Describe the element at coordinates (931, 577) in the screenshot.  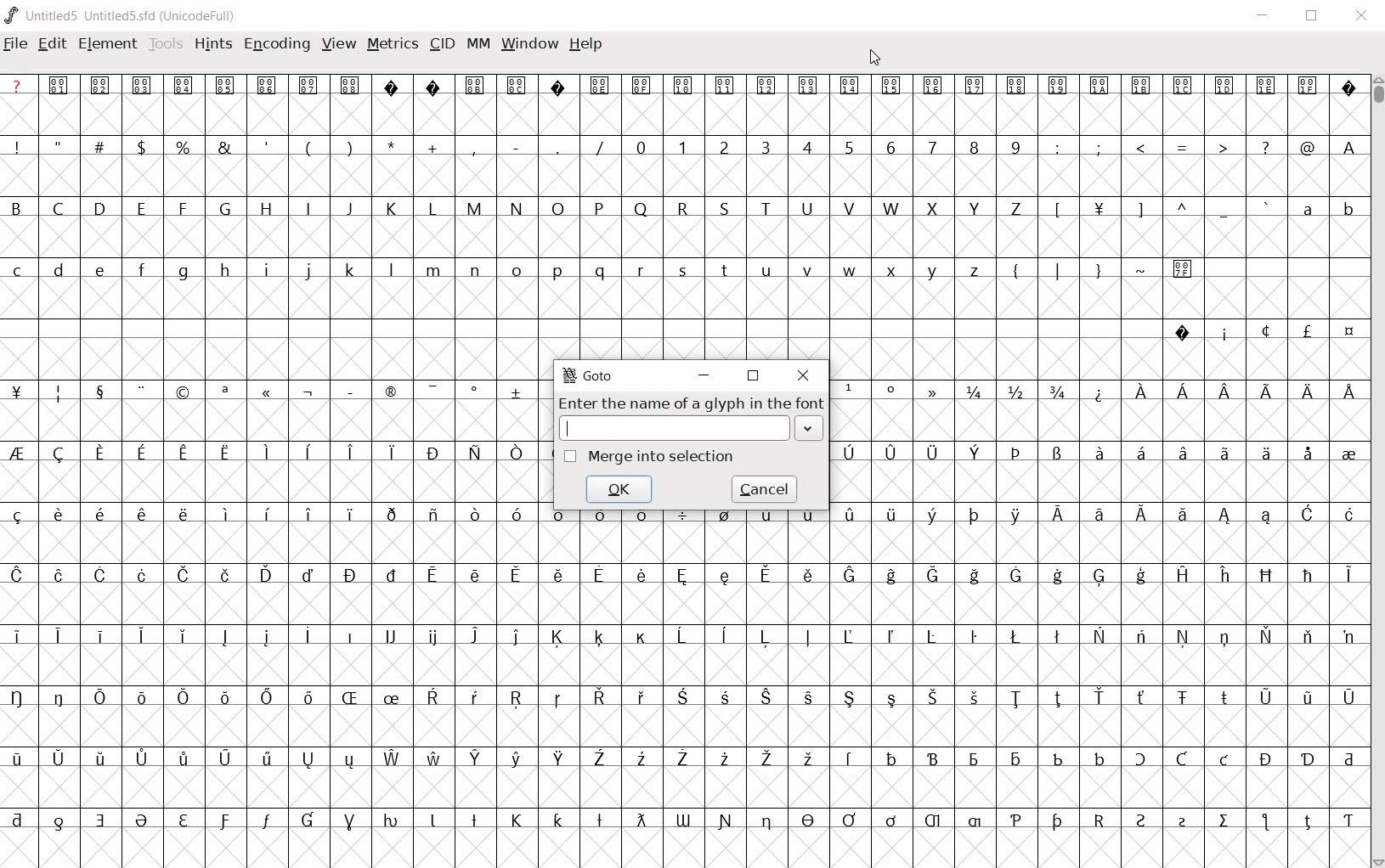
I see `Symbol` at that location.